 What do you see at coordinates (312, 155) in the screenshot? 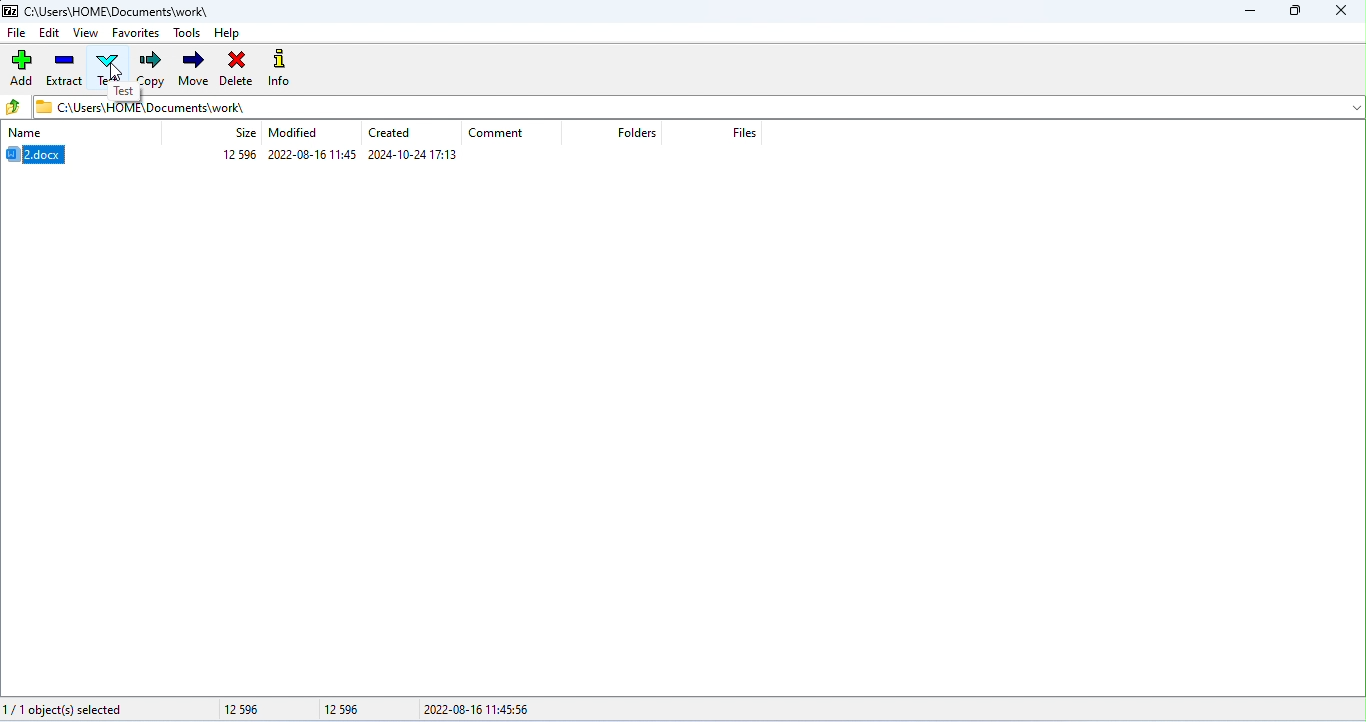
I see `2022-08-16 11:45` at bounding box center [312, 155].